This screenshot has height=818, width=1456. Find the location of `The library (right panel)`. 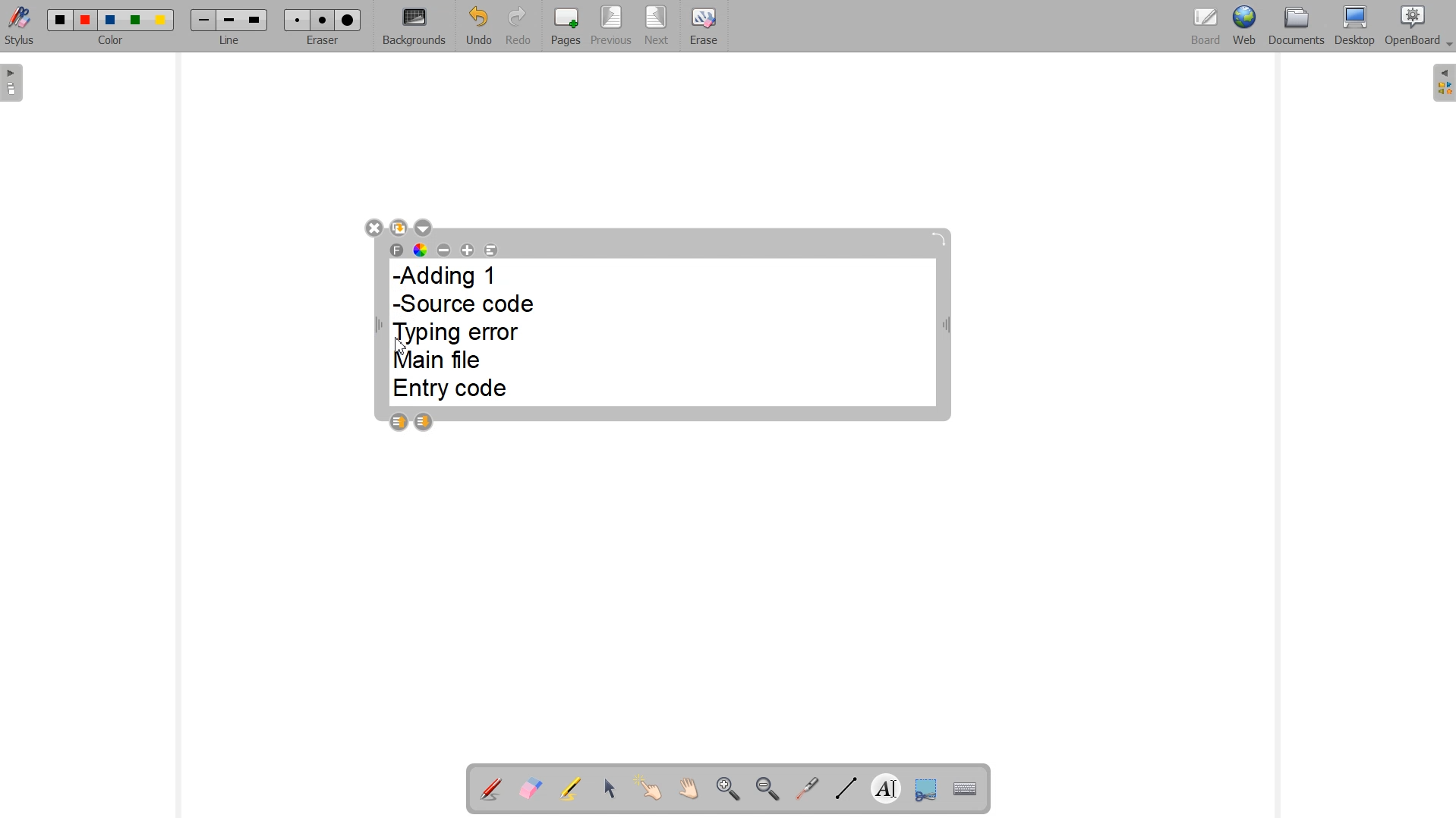

The library (right panel) is located at coordinates (1442, 83).